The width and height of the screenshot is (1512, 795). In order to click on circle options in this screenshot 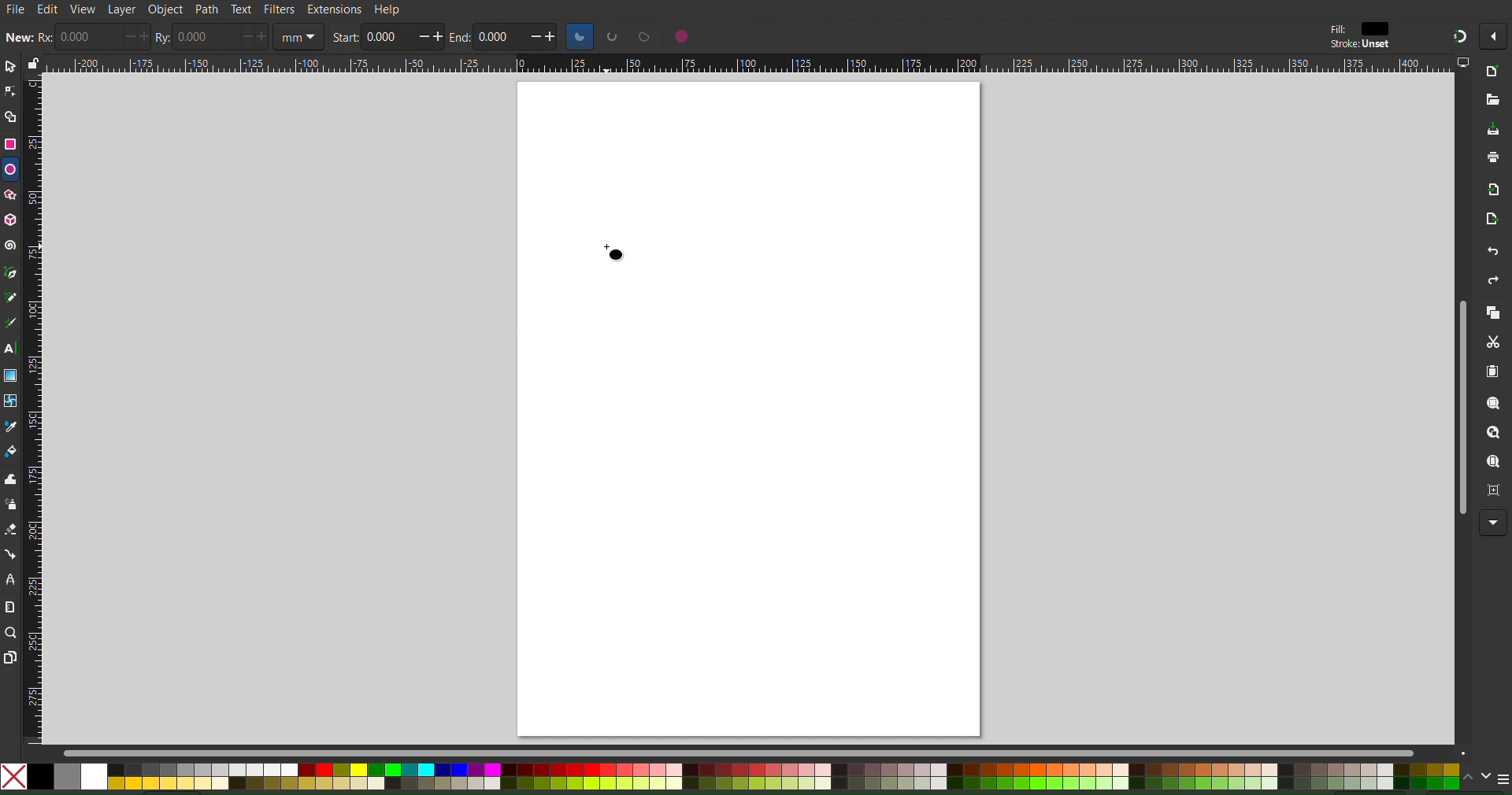, I will do `click(643, 36)`.